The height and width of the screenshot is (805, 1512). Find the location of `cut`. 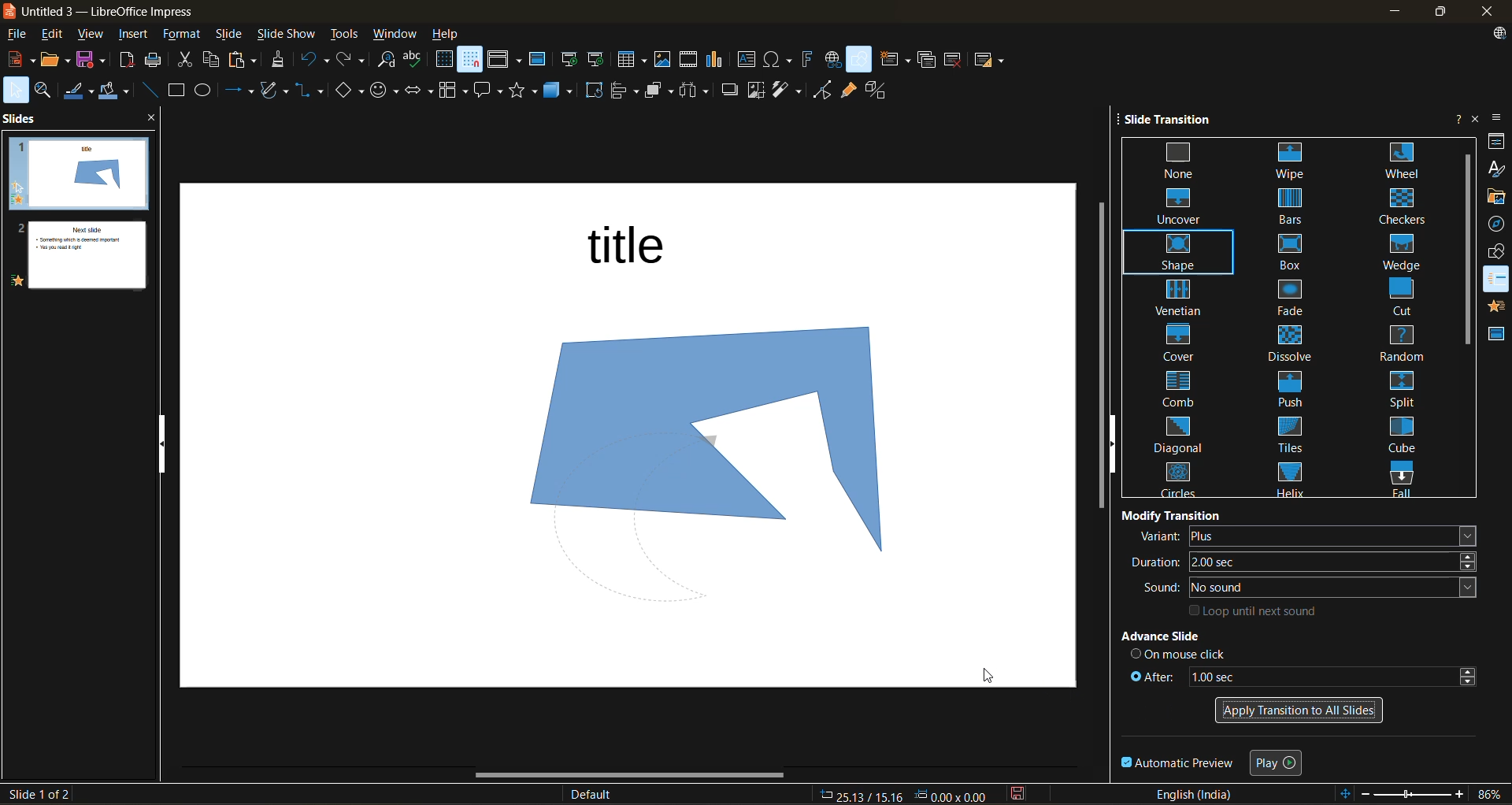

cut is located at coordinates (187, 61).